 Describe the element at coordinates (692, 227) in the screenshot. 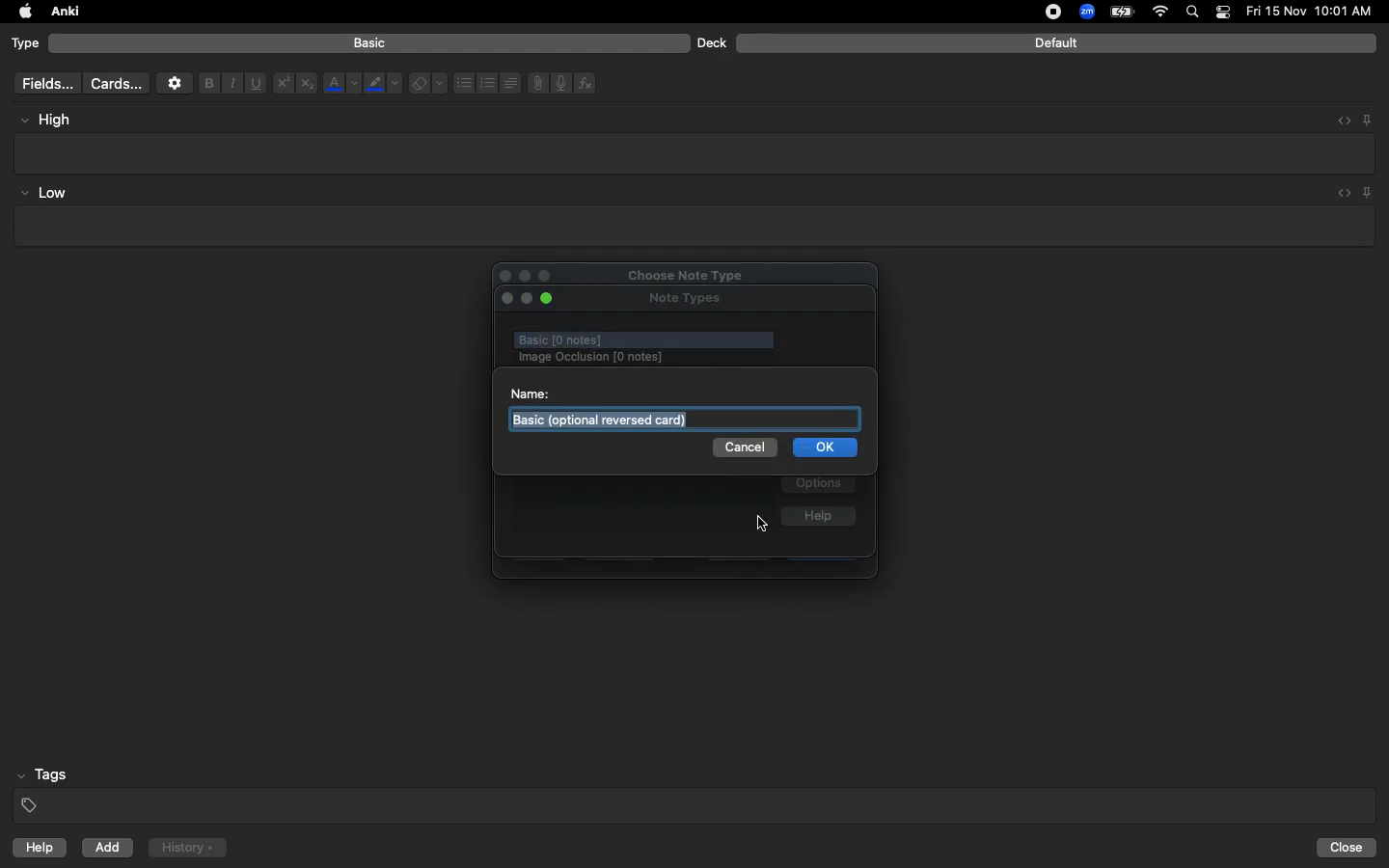

I see `Textbox` at that location.